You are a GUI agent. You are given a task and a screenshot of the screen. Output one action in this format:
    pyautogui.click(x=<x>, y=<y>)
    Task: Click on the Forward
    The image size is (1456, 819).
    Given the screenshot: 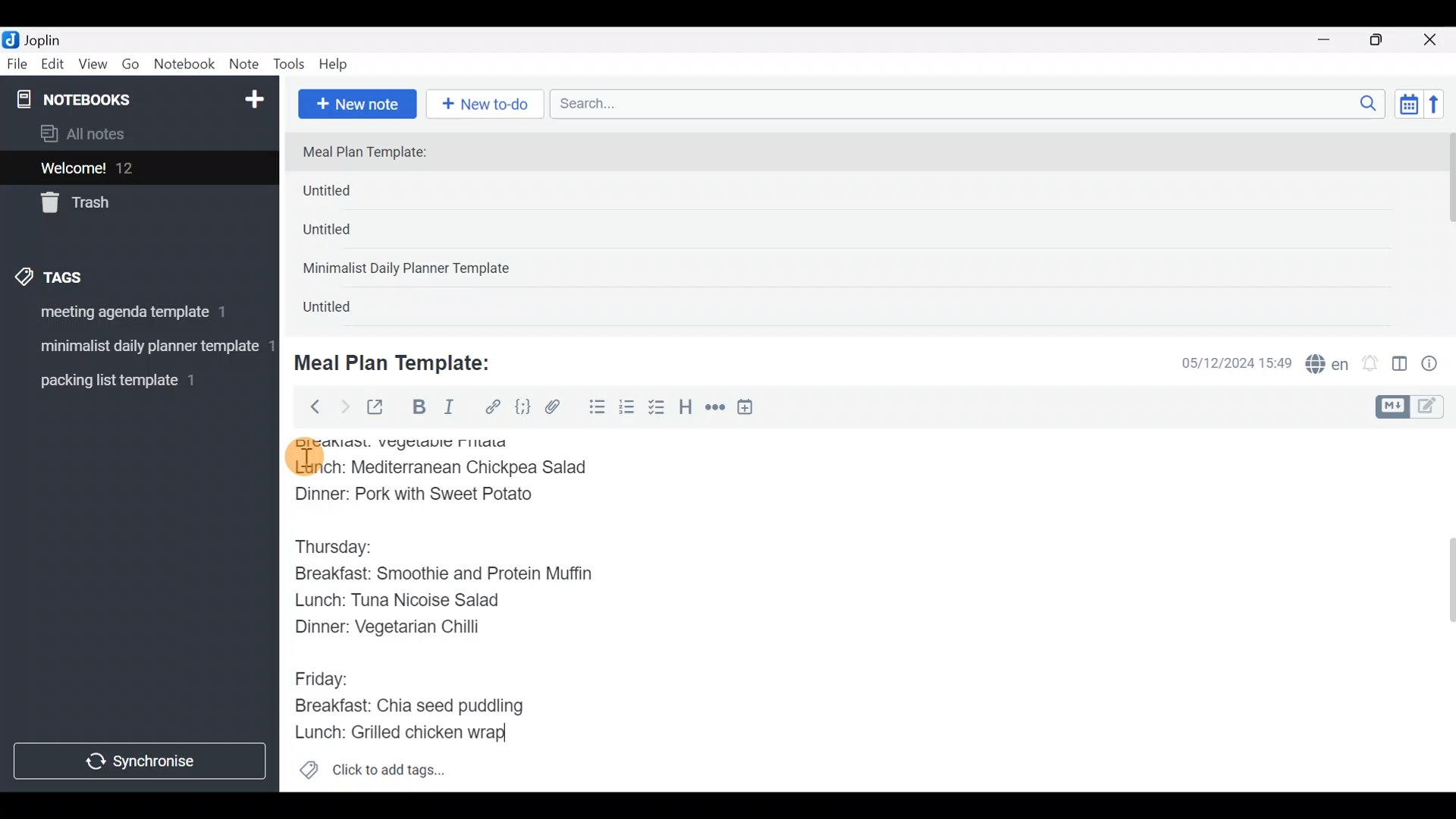 What is the action you would take?
    pyautogui.click(x=344, y=406)
    